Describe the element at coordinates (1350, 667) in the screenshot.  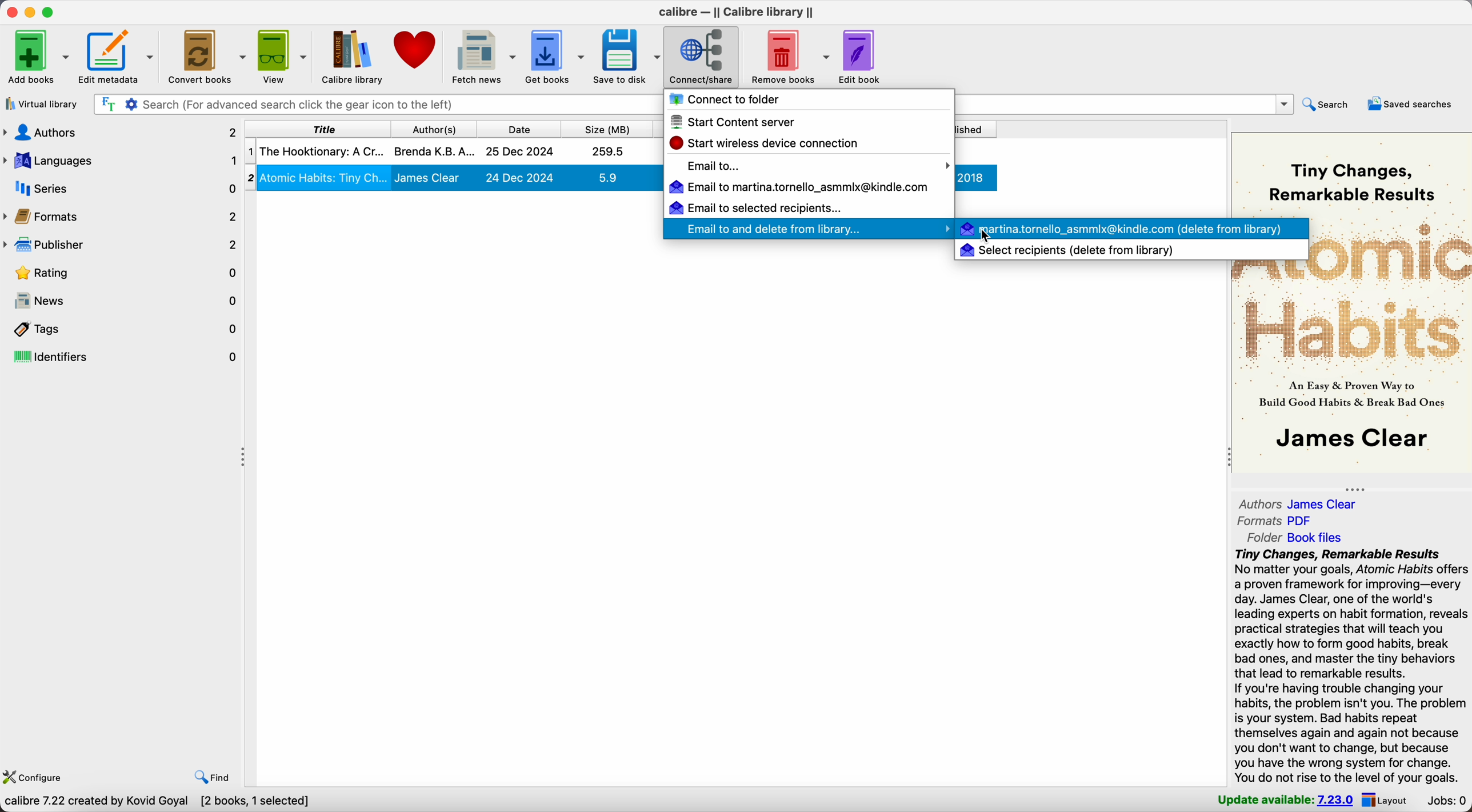
I see `Tiny Changes, Remarkable Results

No matter your goals, Atomic Habits offers
a proven framework for improving—every
day. James Clear, one of the world's
leading experts on habit formation, reveals
practical strategies that will teach you
exactly how to form good habits, break
bad ones, and master the tiny behaviors
that lead to remarkable results.

If you're having trouble changing your
habits, the problem isn't you. The problem
is your system. Bad habits repeat
themselves again and again not because
you don't want to change, but because
you have the wrong system for change.
You do not rise to the level of your goals.` at that location.